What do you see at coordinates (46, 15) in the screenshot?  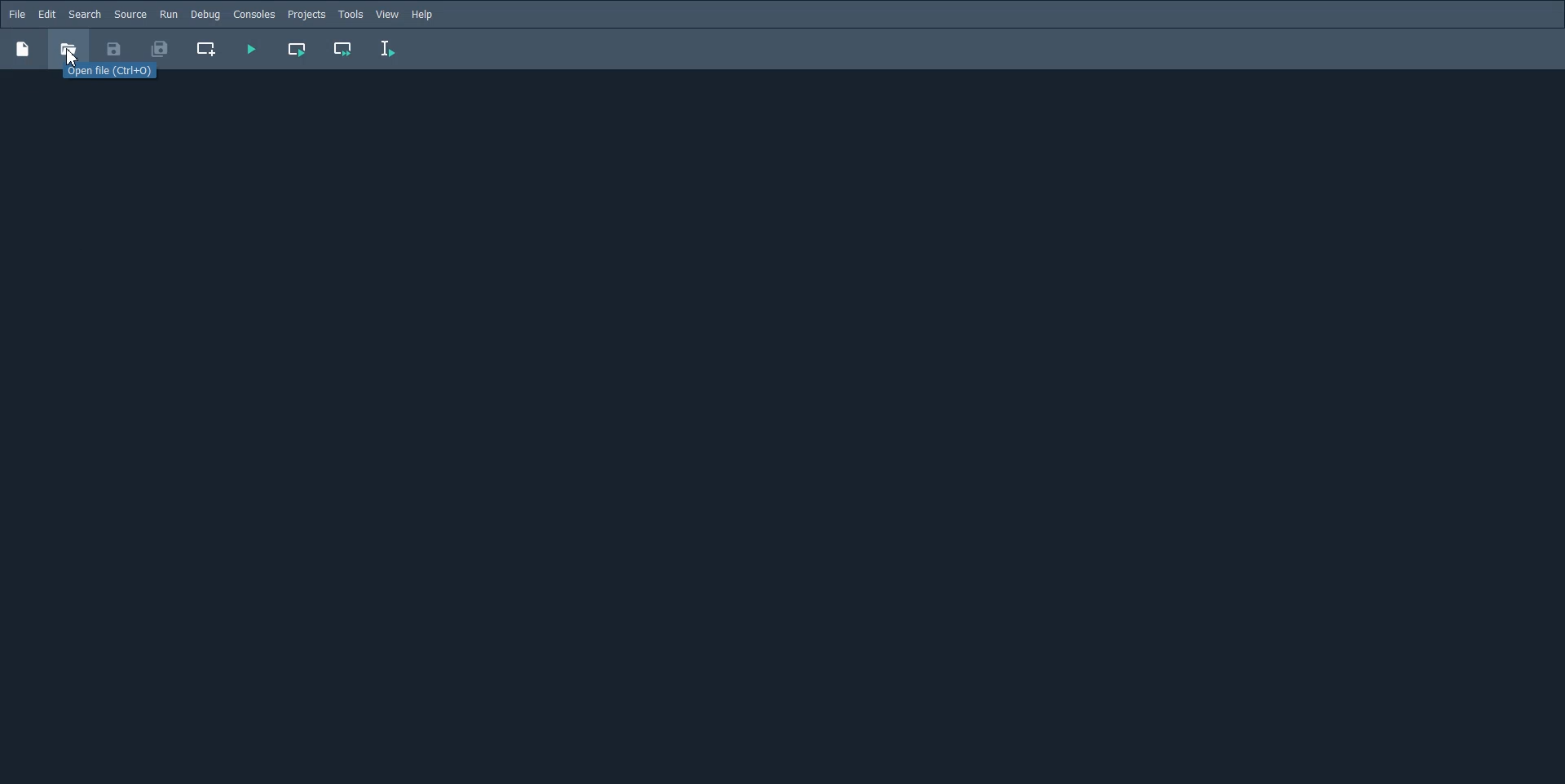 I see `Edit` at bounding box center [46, 15].